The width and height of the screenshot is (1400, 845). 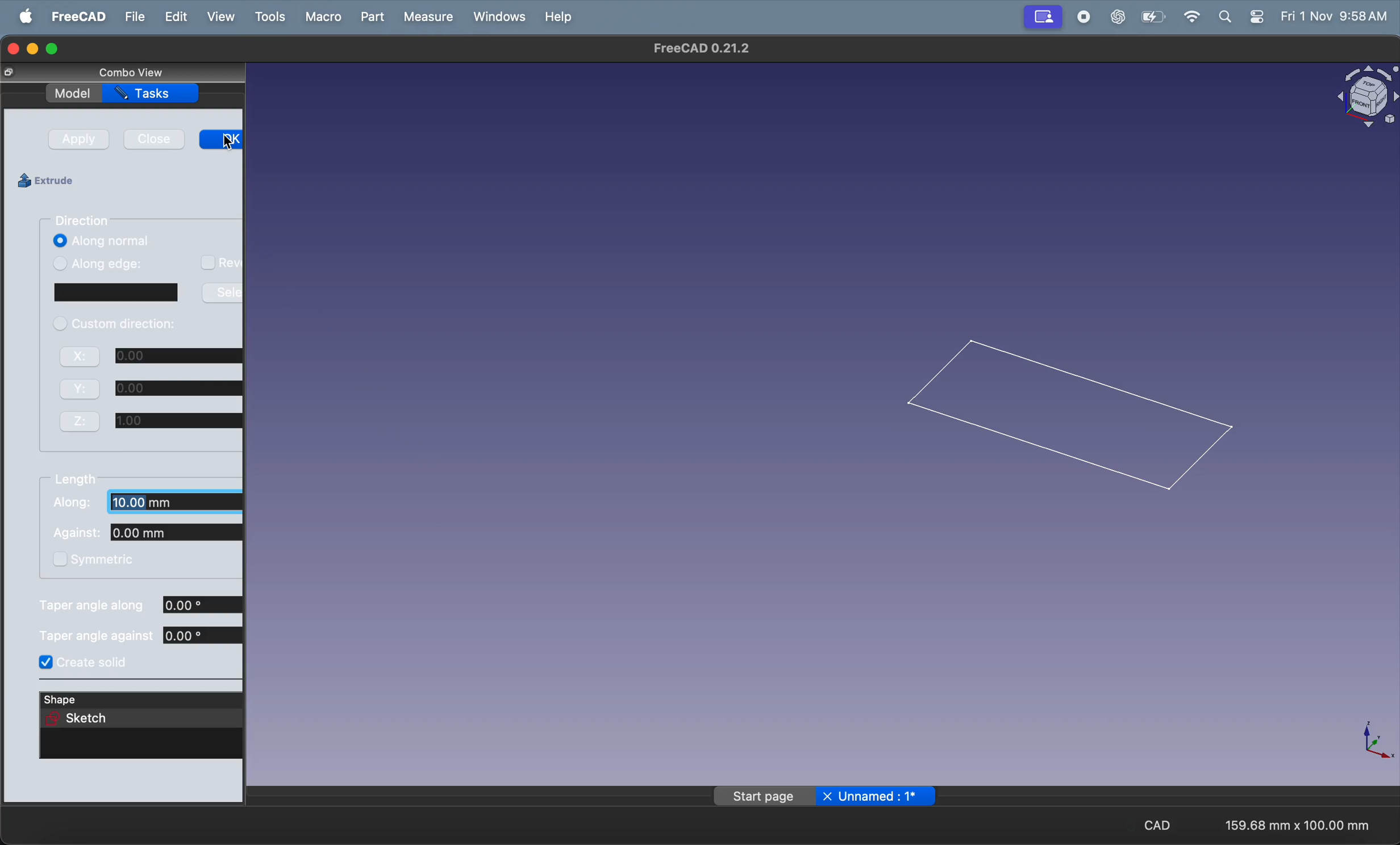 I want to click on along, so click(x=148, y=503).